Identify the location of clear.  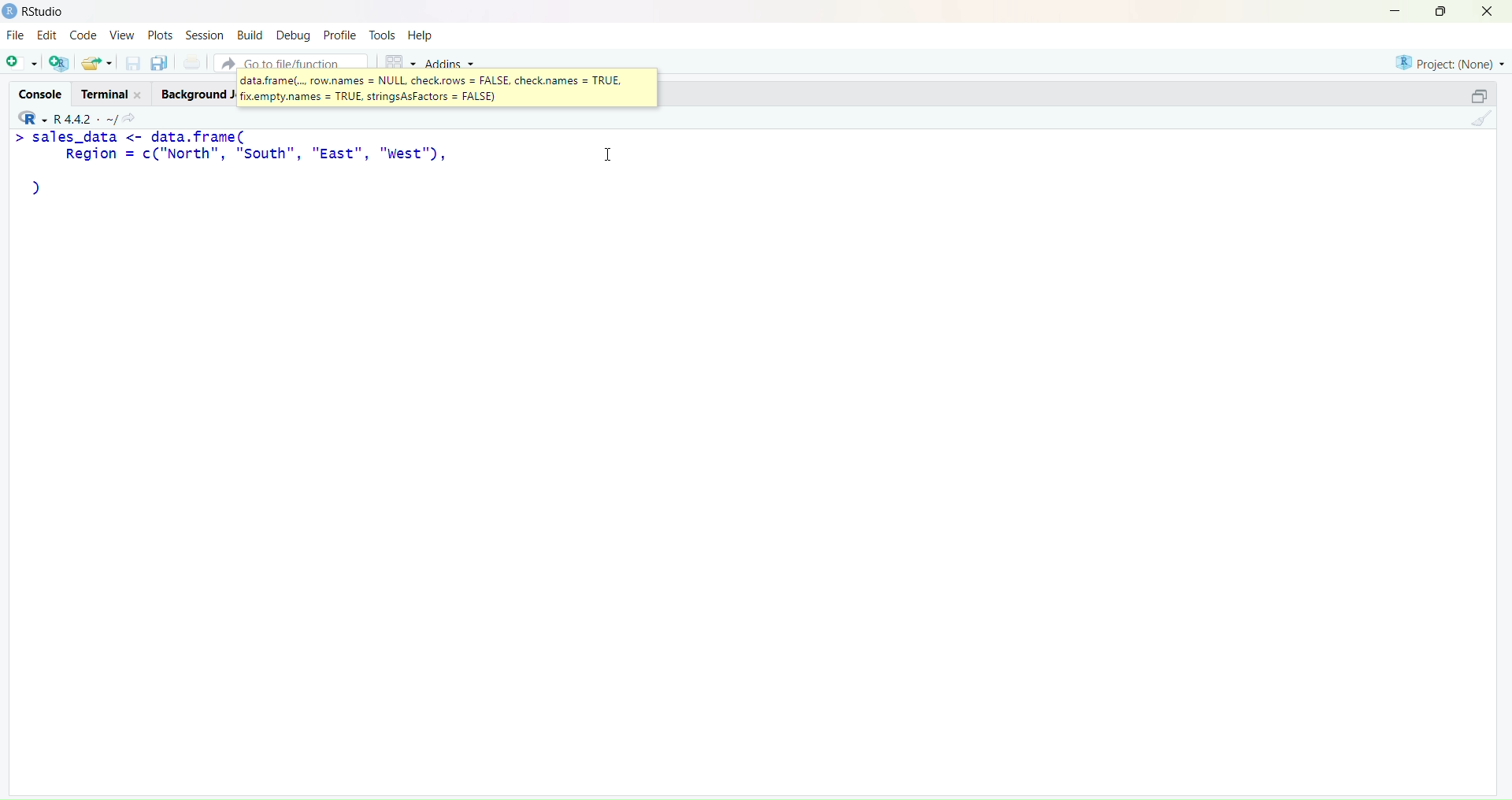
(1485, 122).